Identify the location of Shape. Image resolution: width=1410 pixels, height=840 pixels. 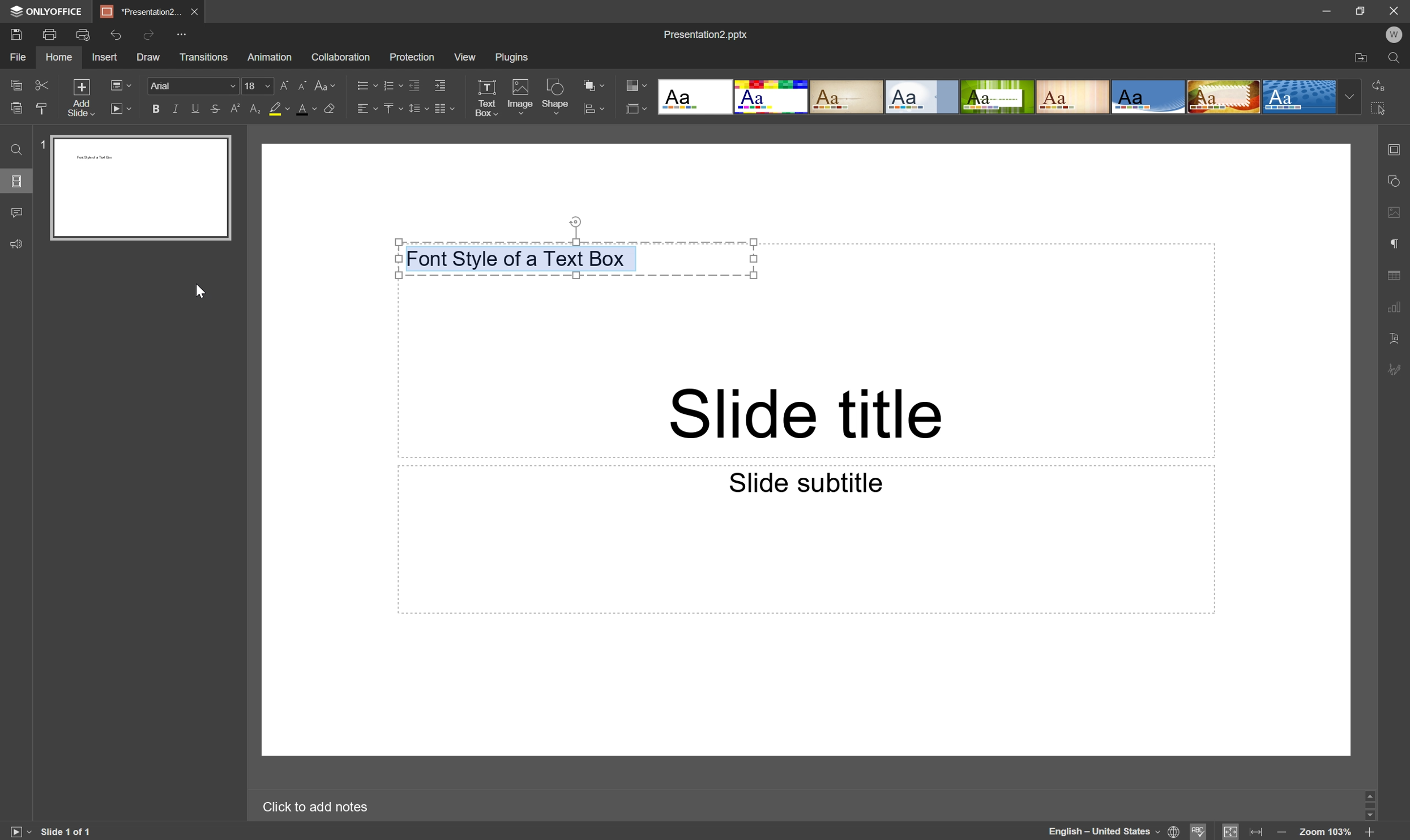
(558, 97).